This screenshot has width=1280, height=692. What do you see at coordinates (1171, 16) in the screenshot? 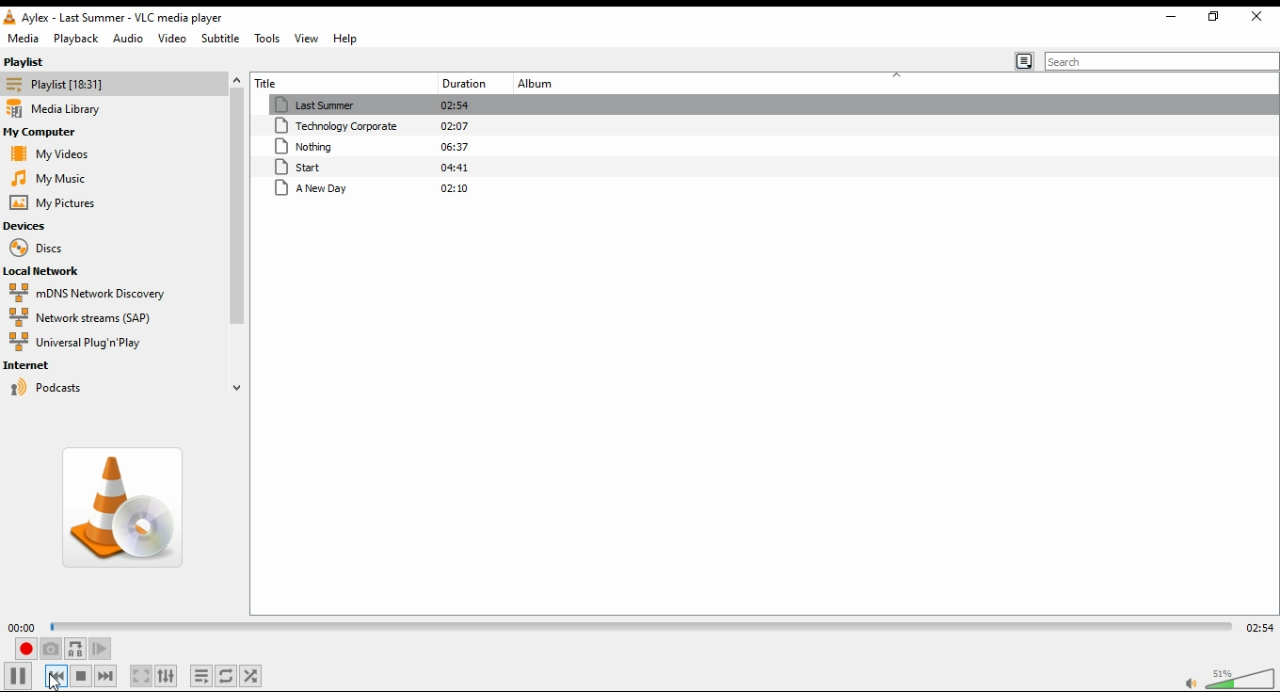
I see `minimize` at bounding box center [1171, 16].